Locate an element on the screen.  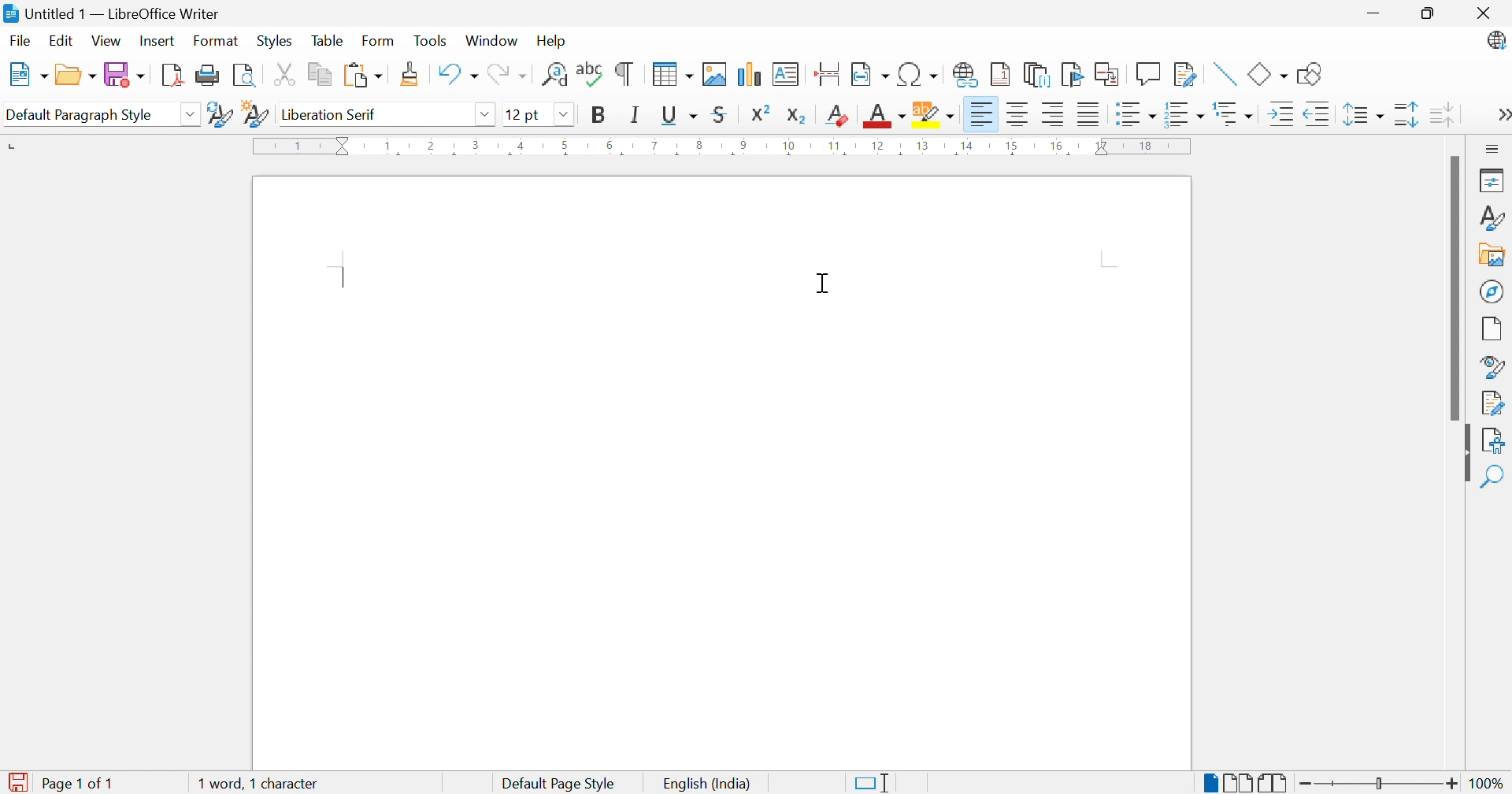
Toggle Print Preview is located at coordinates (245, 76).